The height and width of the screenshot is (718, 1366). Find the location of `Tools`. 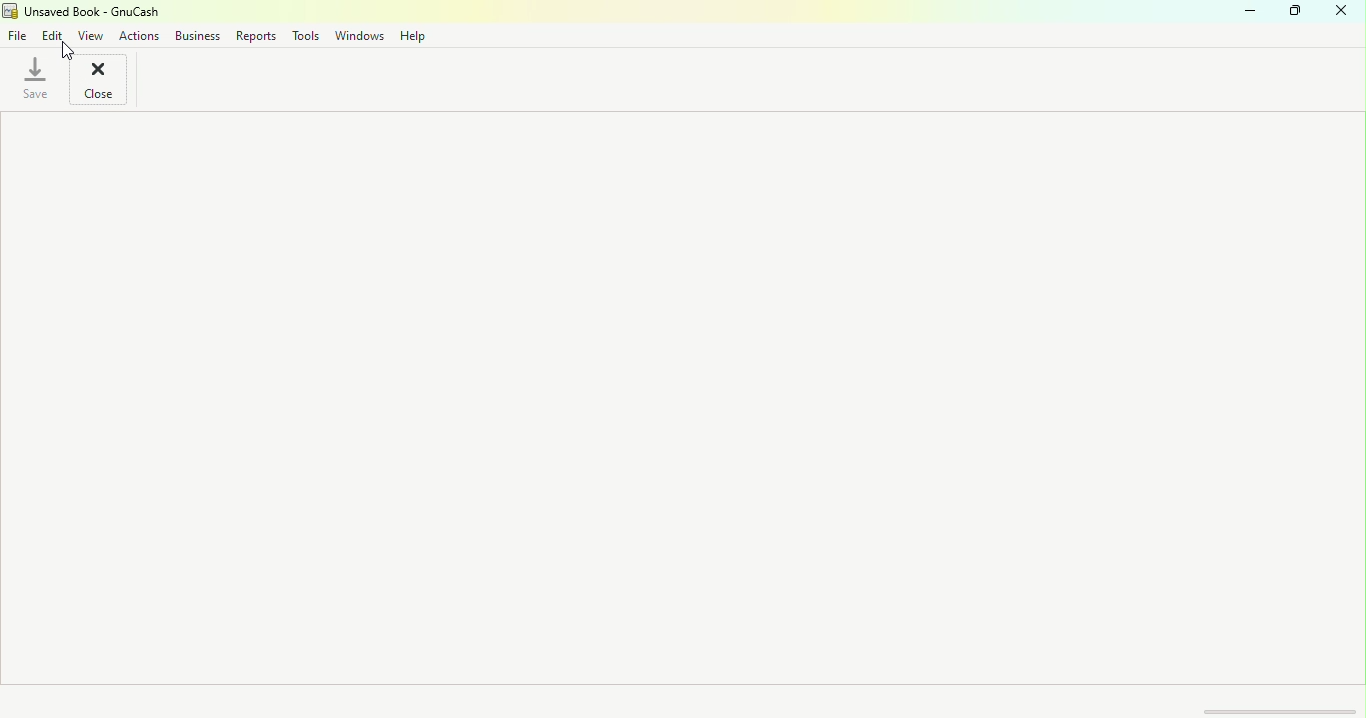

Tools is located at coordinates (305, 34).